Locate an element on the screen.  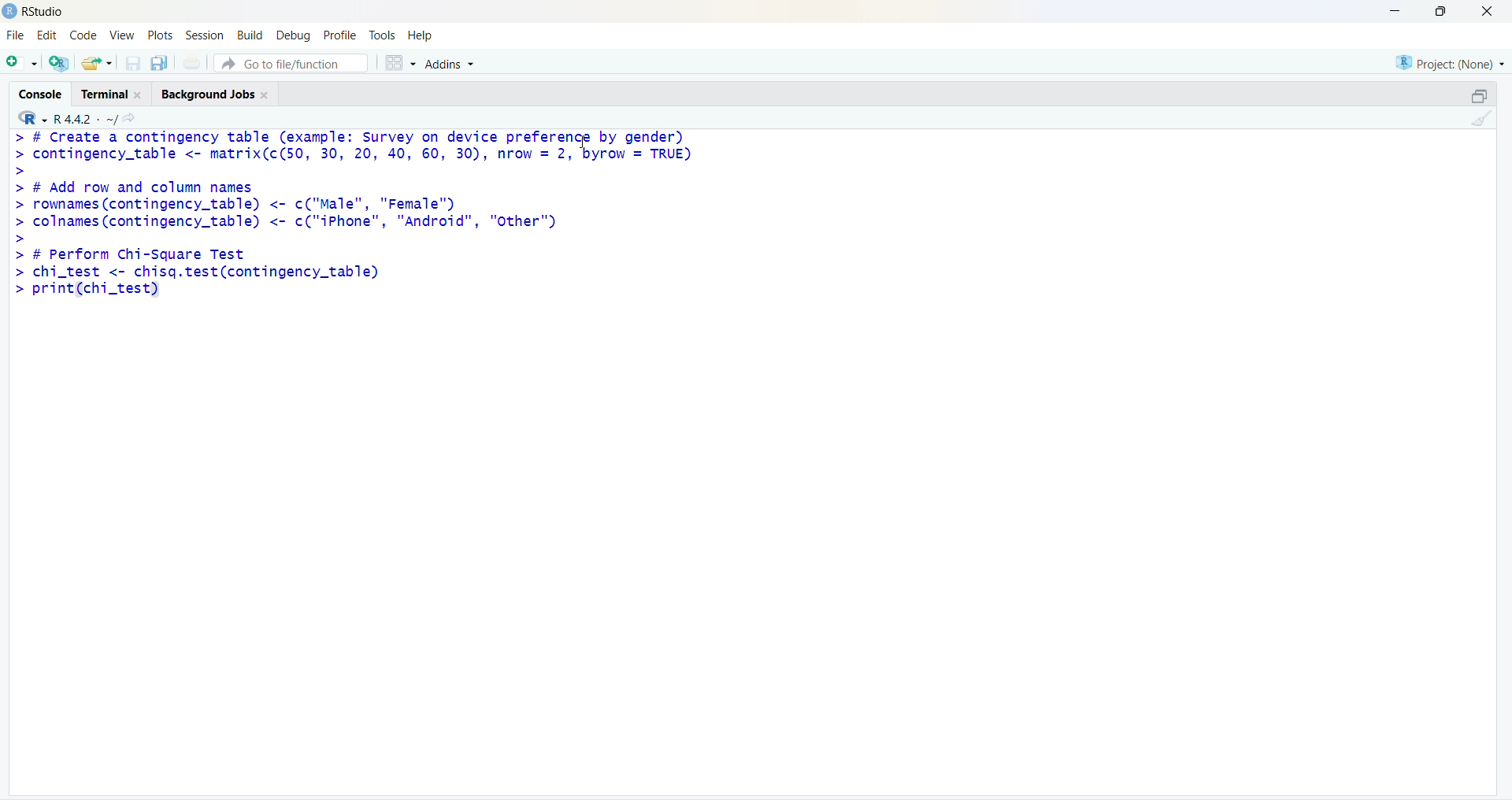
share icon is located at coordinates (130, 118).